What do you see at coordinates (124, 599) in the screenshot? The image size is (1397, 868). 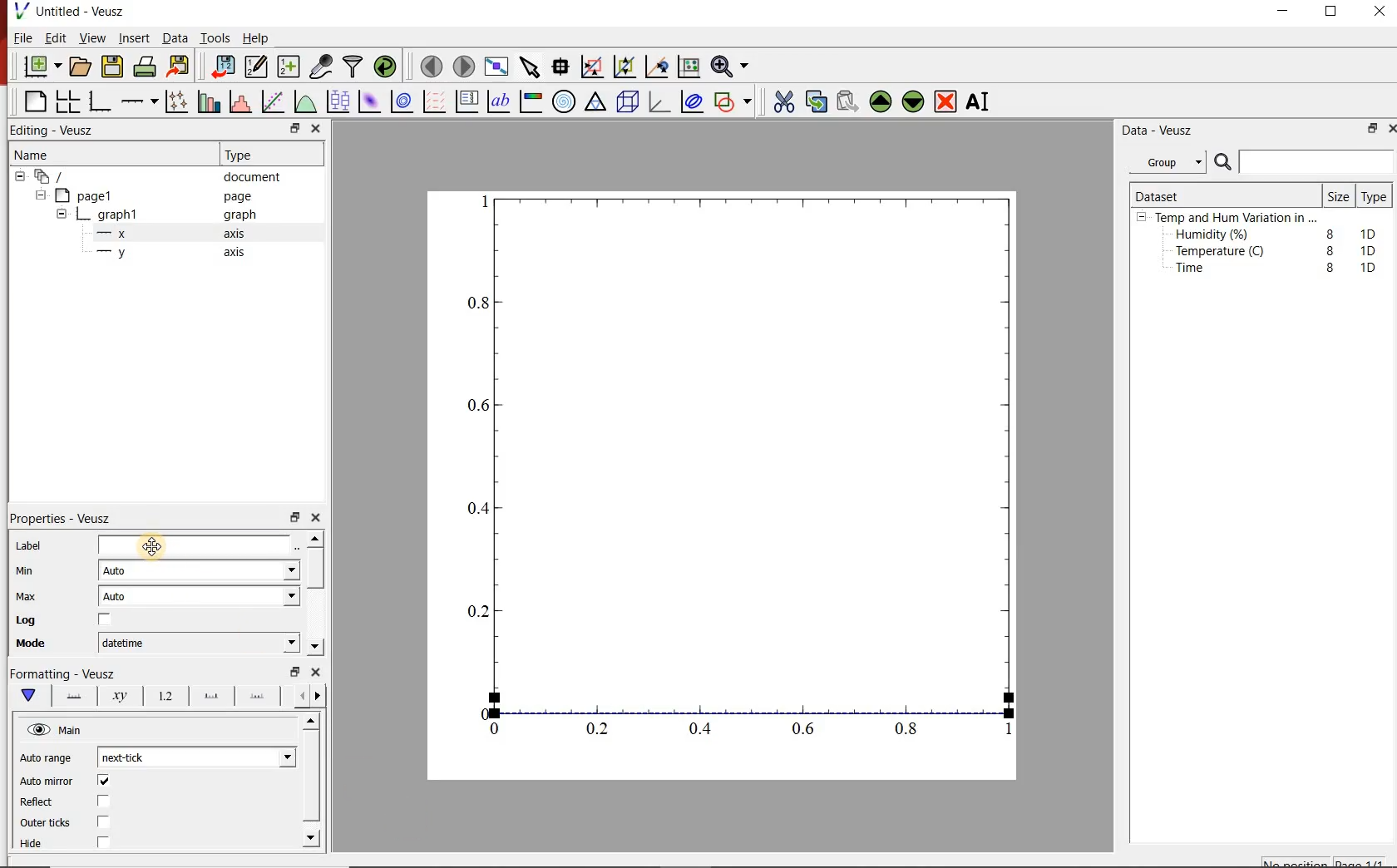 I see `Auto` at bounding box center [124, 599].